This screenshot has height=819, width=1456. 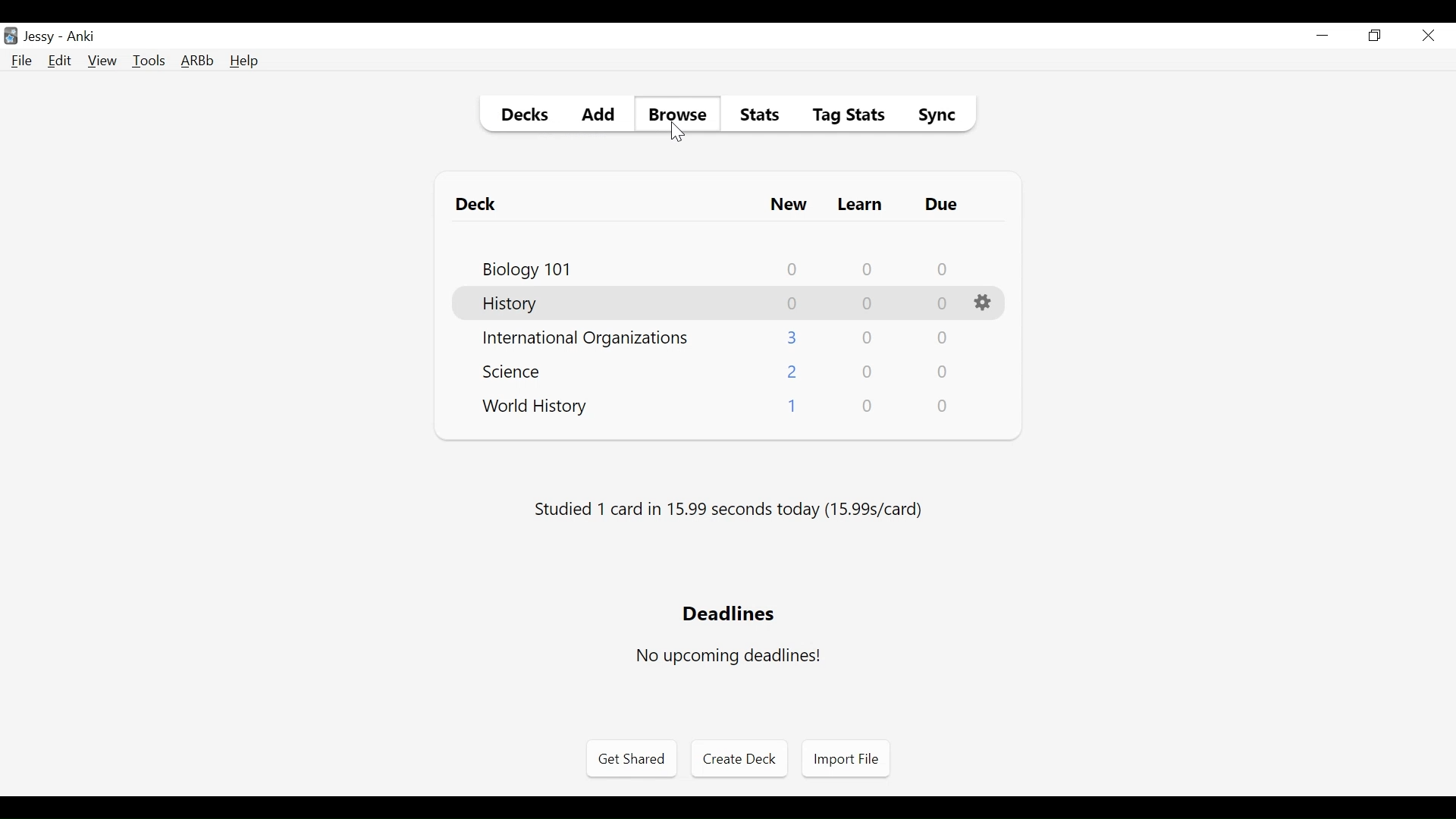 What do you see at coordinates (939, 205) in the screenshot?
I see `Due` at bounding box center [939, 205].